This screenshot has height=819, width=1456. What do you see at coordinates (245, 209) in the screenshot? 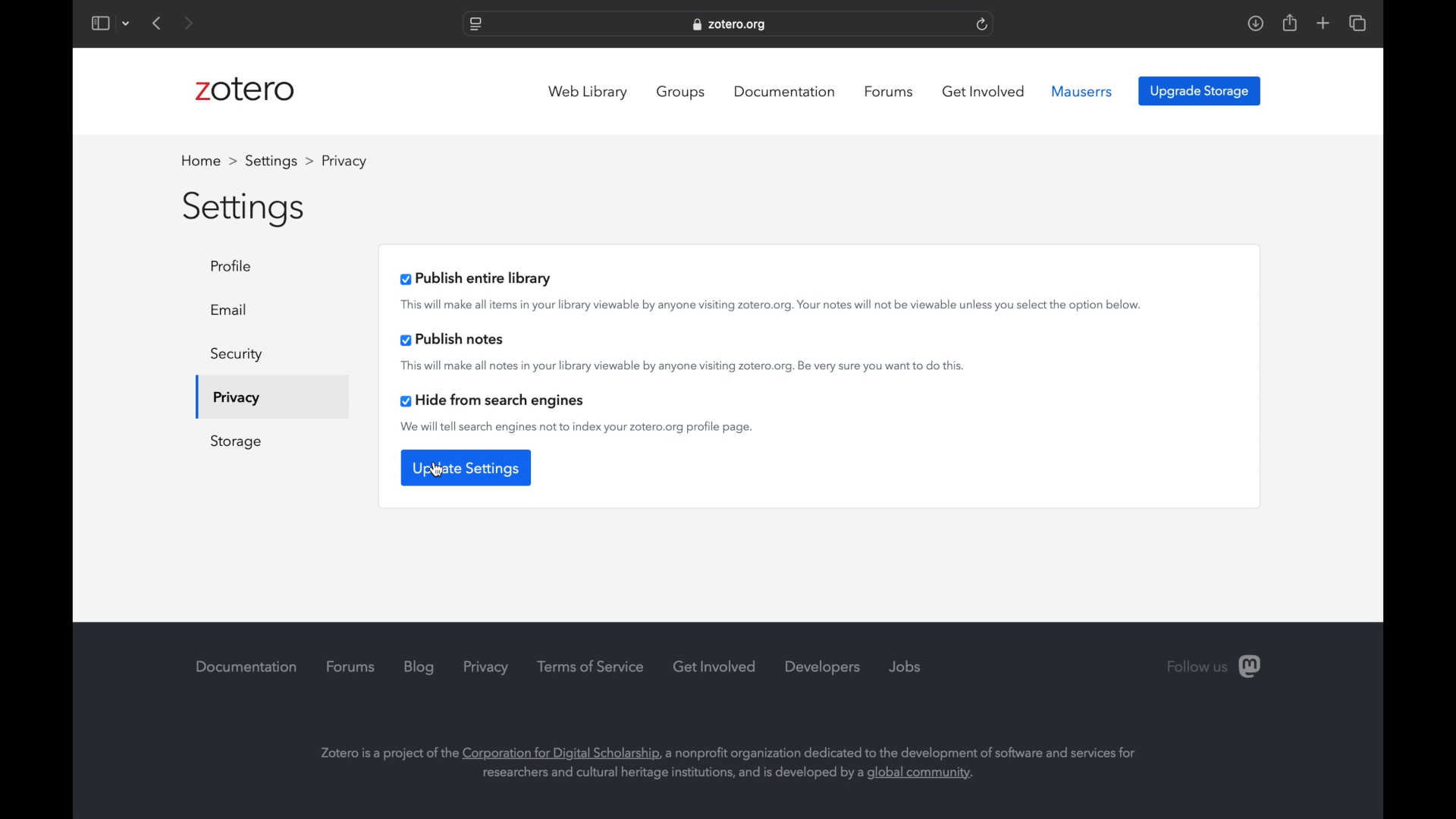
I see `settings` at bounding box center [245, 209].